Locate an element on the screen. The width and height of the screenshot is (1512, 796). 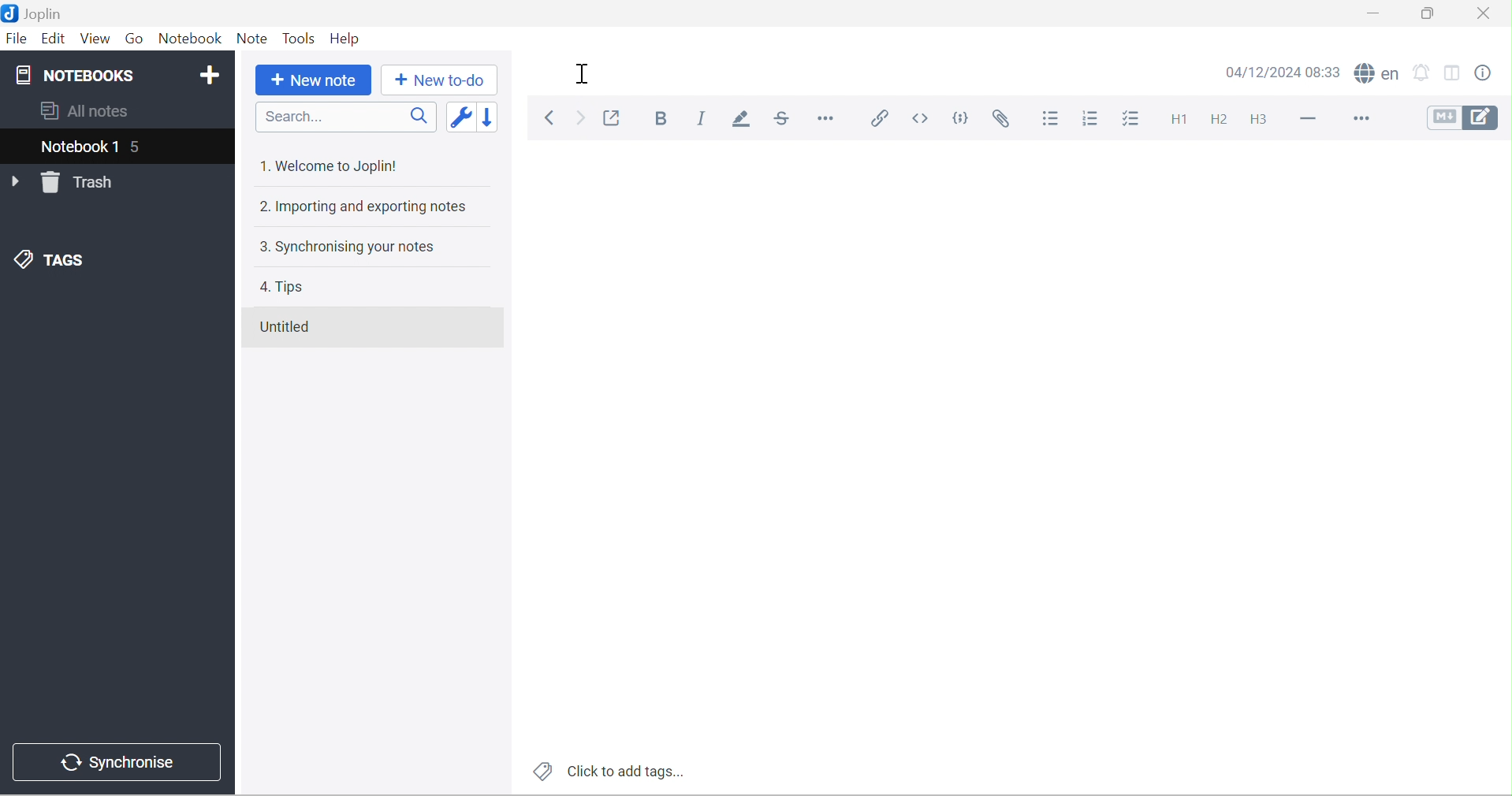
Heading 3 is located at coordinates (1261, 120).